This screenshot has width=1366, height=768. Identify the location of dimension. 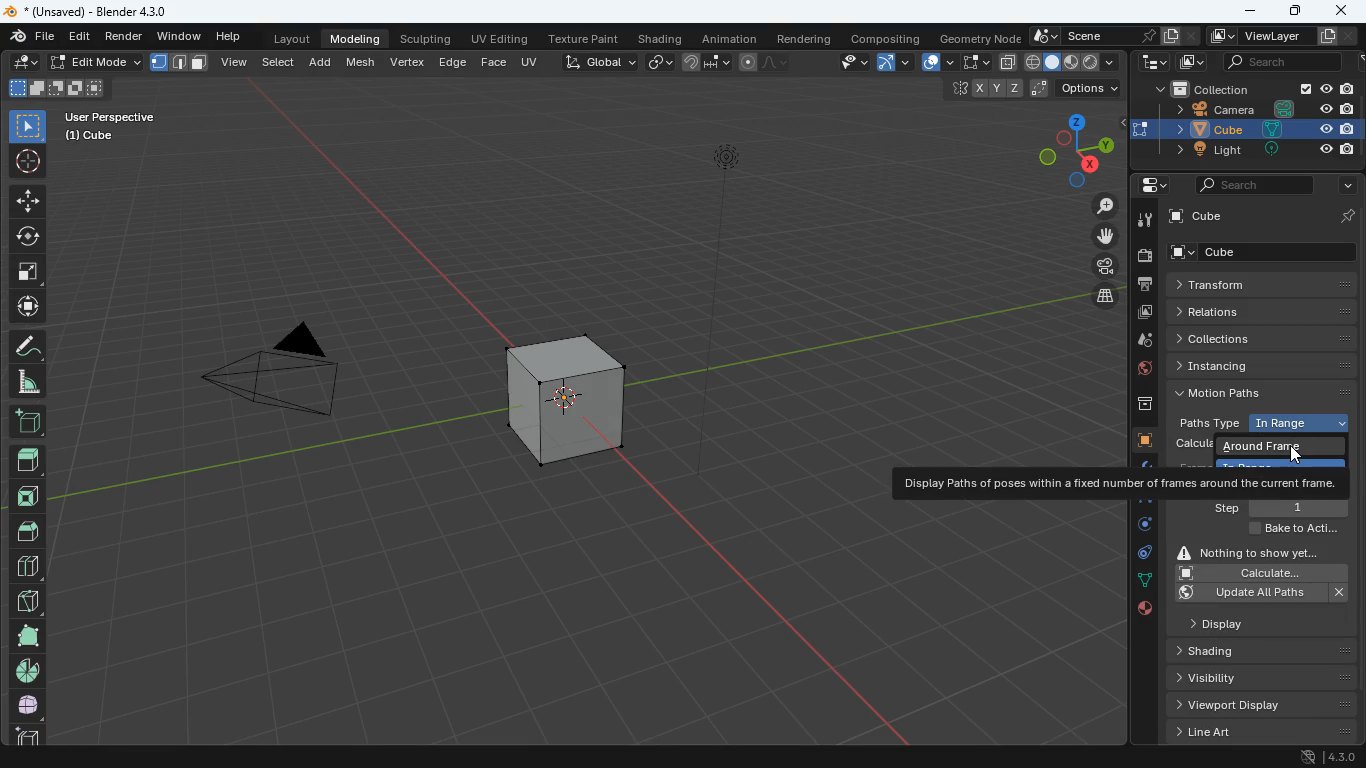
(1065, 149).